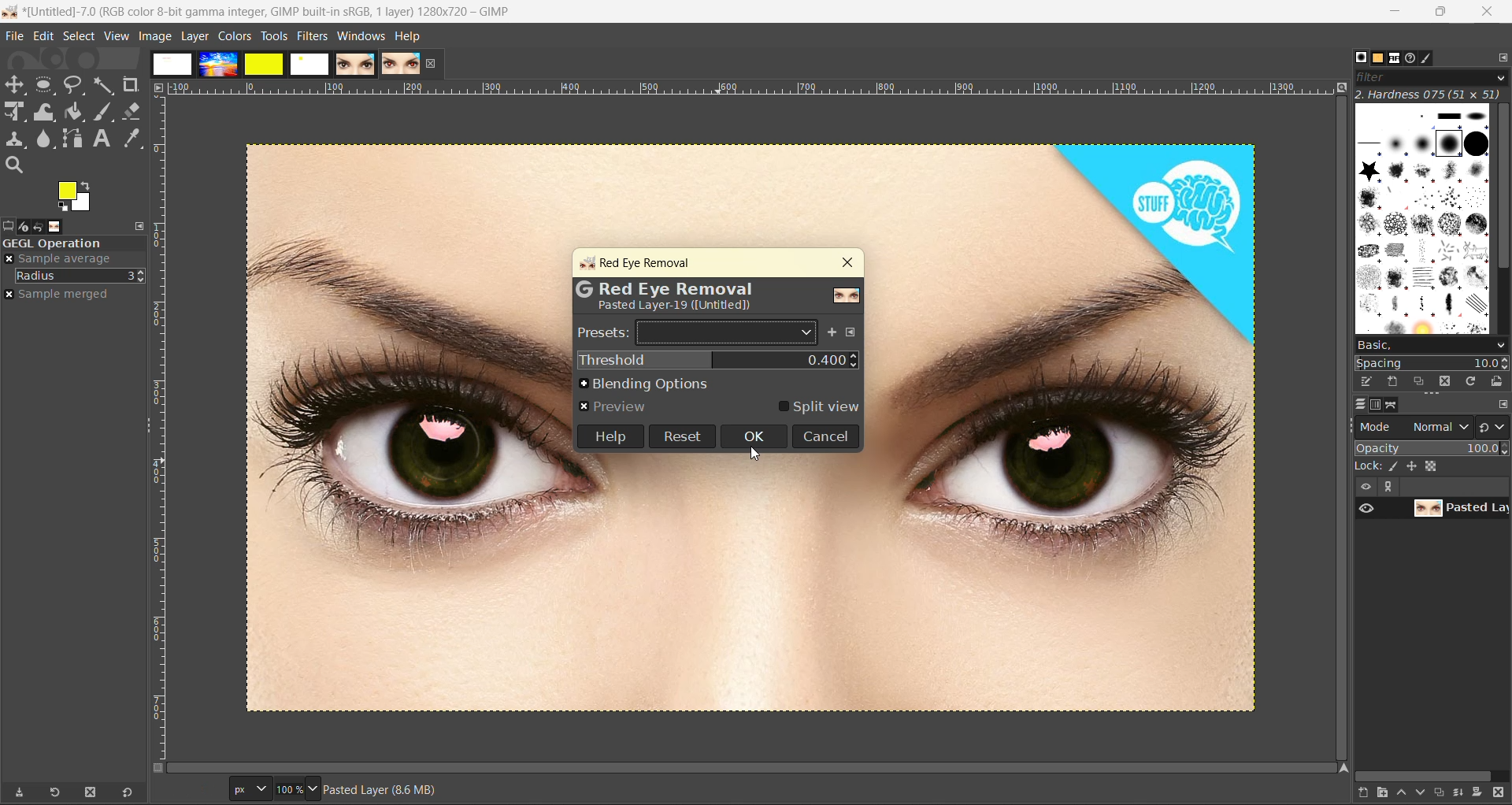 Image resolution: width=1512 pixels, height=805 pixels. What do you see at coordinates (106, 112) in the screenshot?
I see `ink` at bounding box center [106, 112].